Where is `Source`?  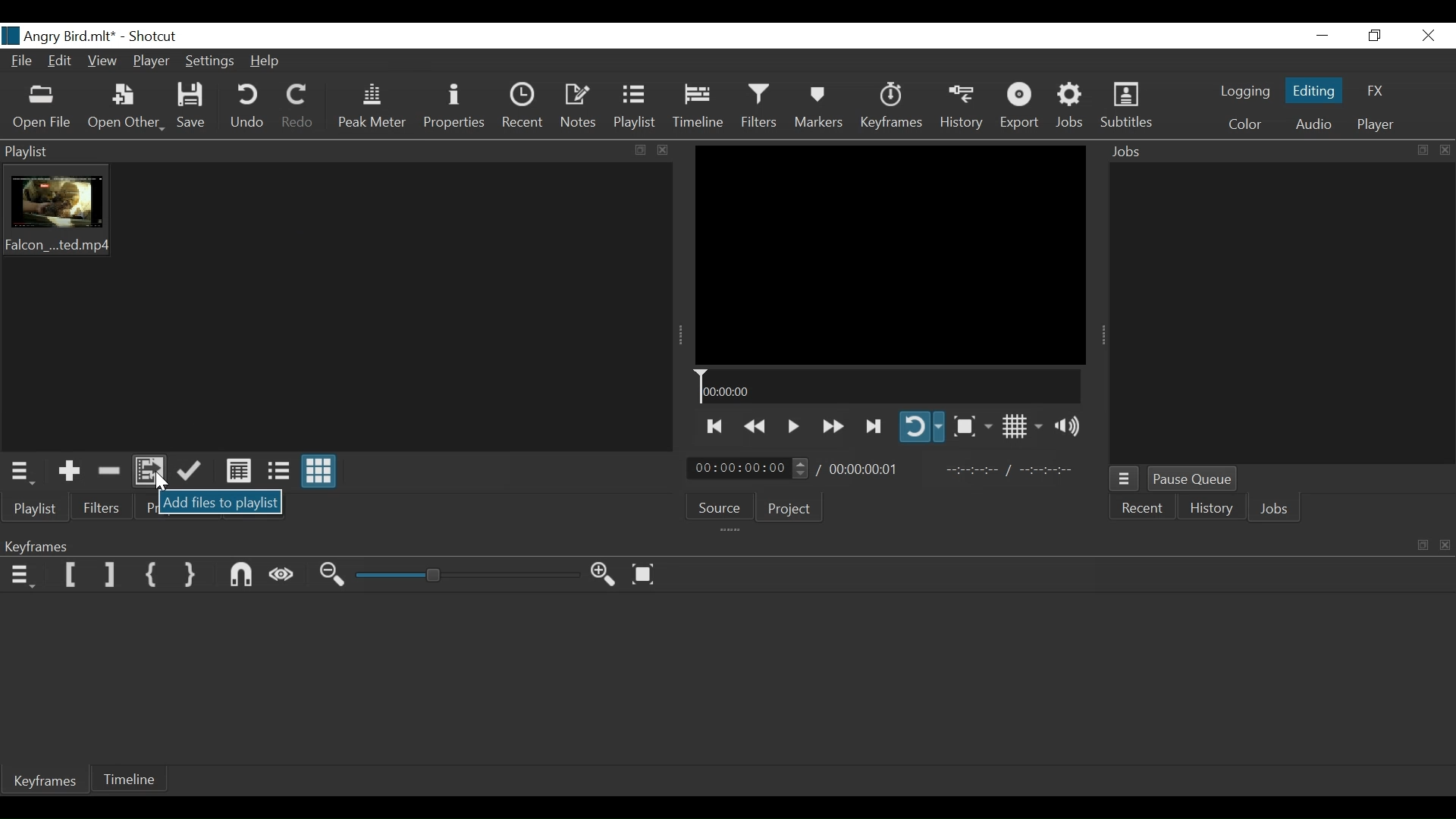 Source is located at coordinates (722, 507).